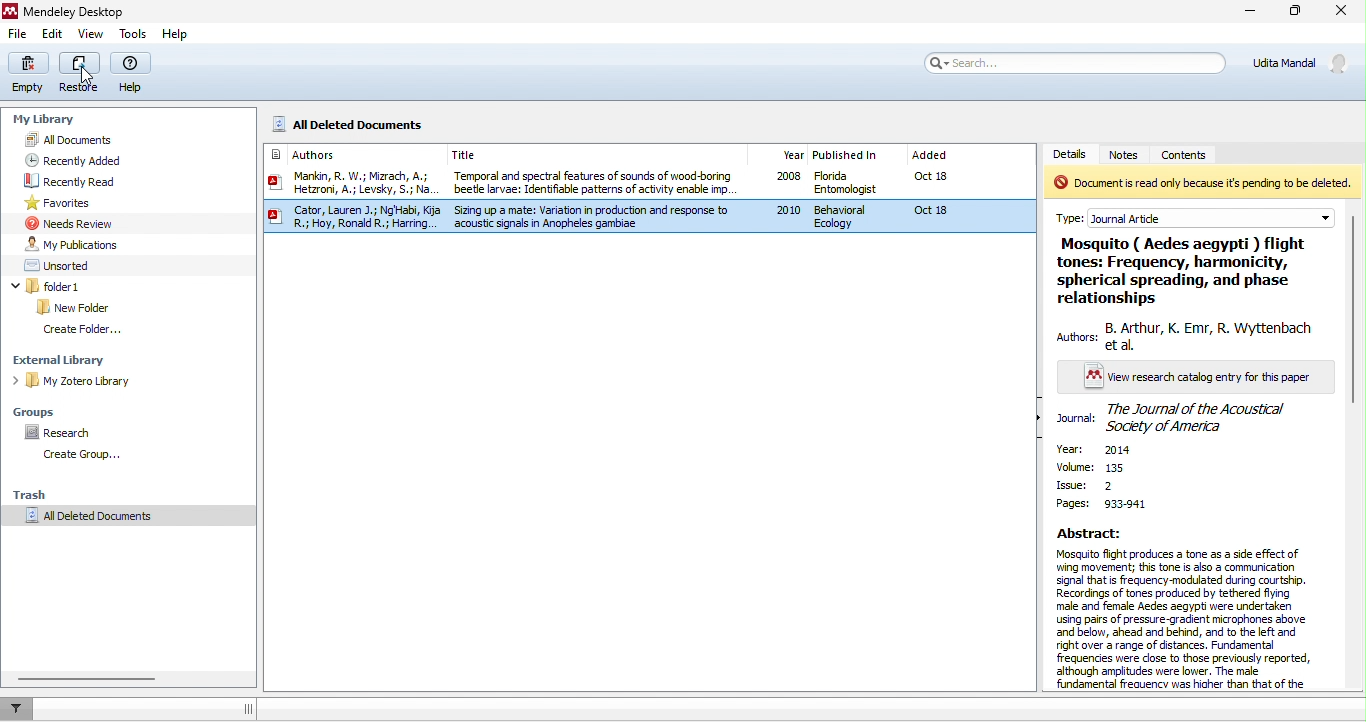 This screenshot has height=722, width=1366. What do you see at coordinates (42, 491) in the screenshot?
I see `trash` at bounding box center [42, 491].